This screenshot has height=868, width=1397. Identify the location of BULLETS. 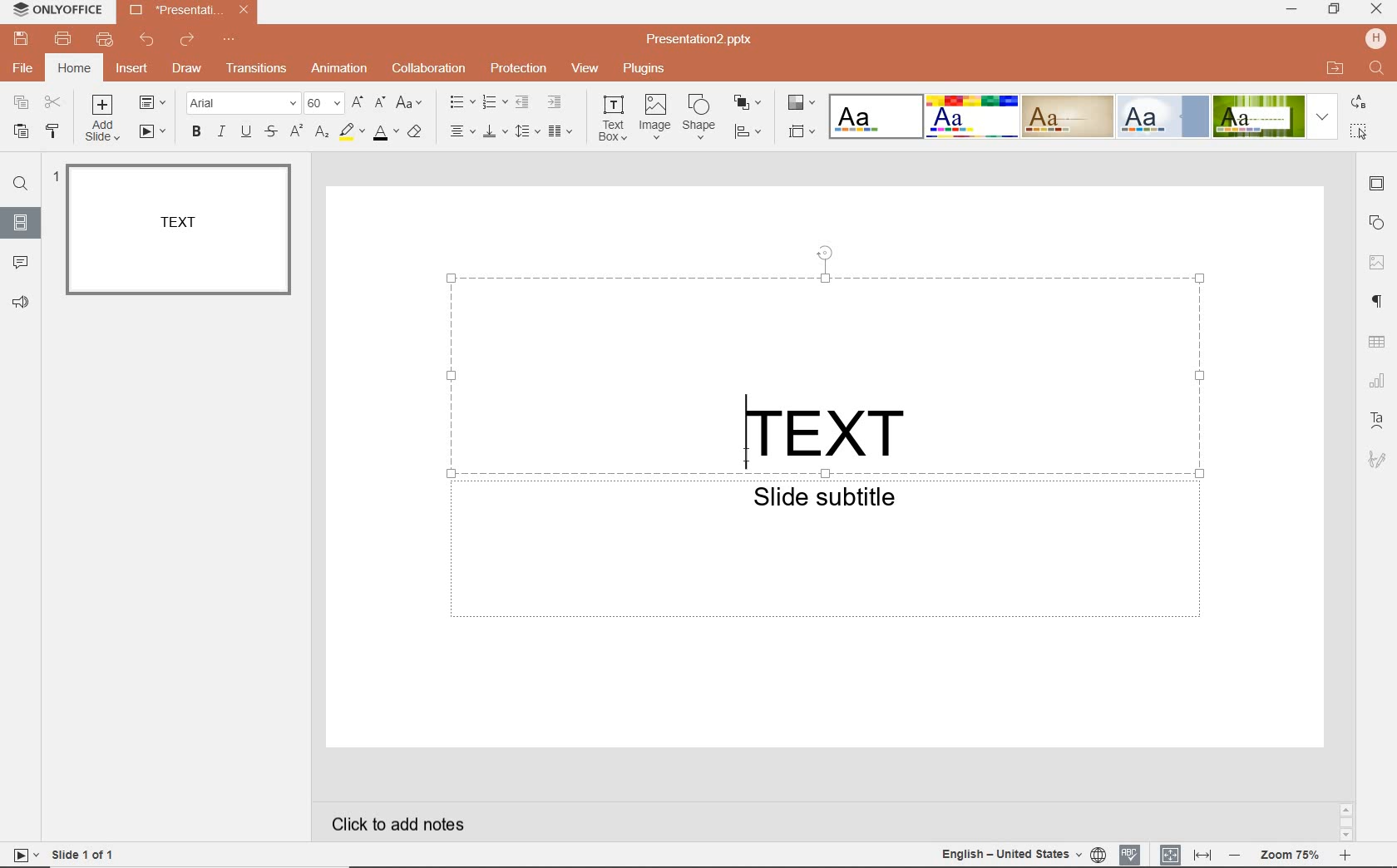
(462, 102).